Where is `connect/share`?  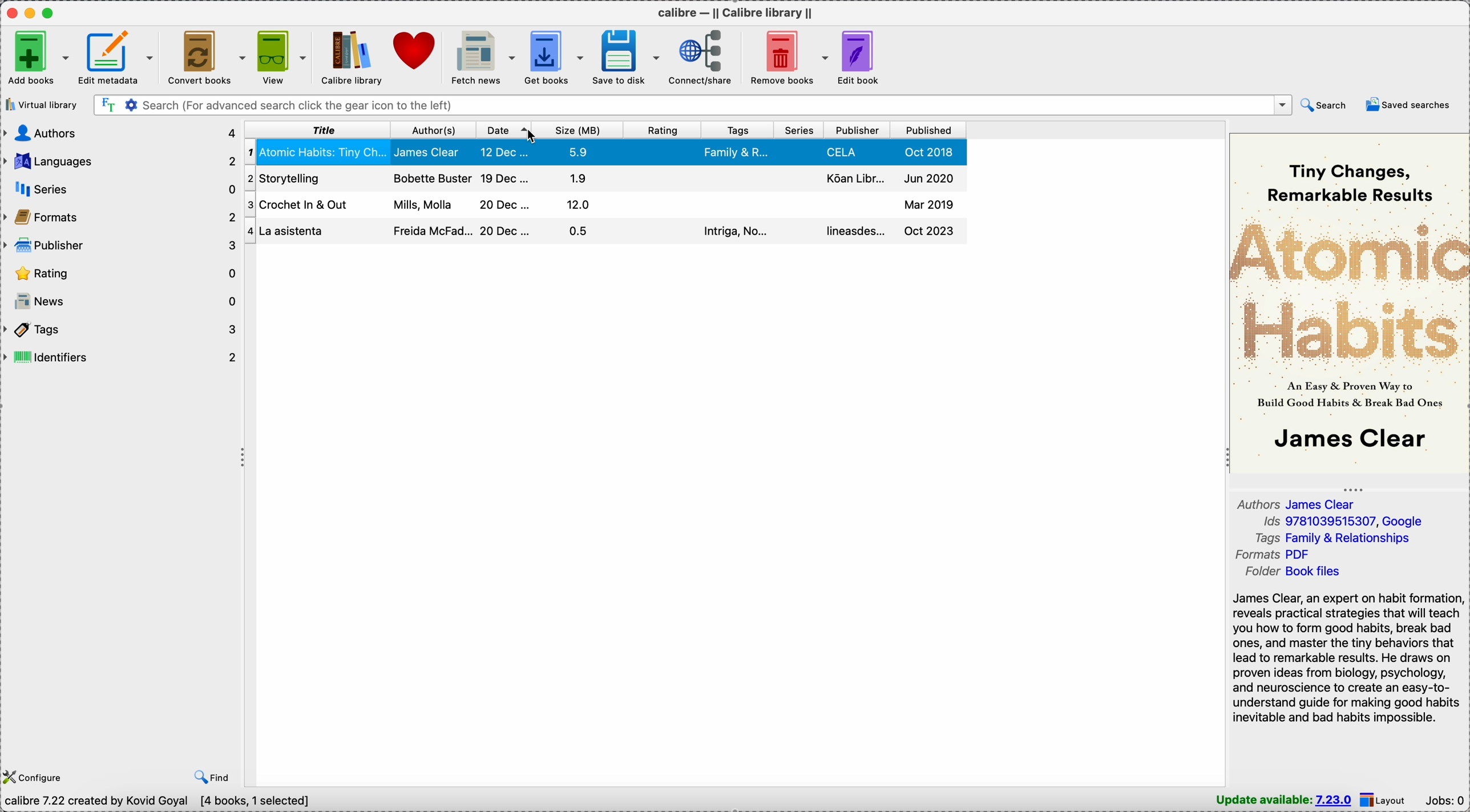
connect/share is located at coordinates (705, 58).